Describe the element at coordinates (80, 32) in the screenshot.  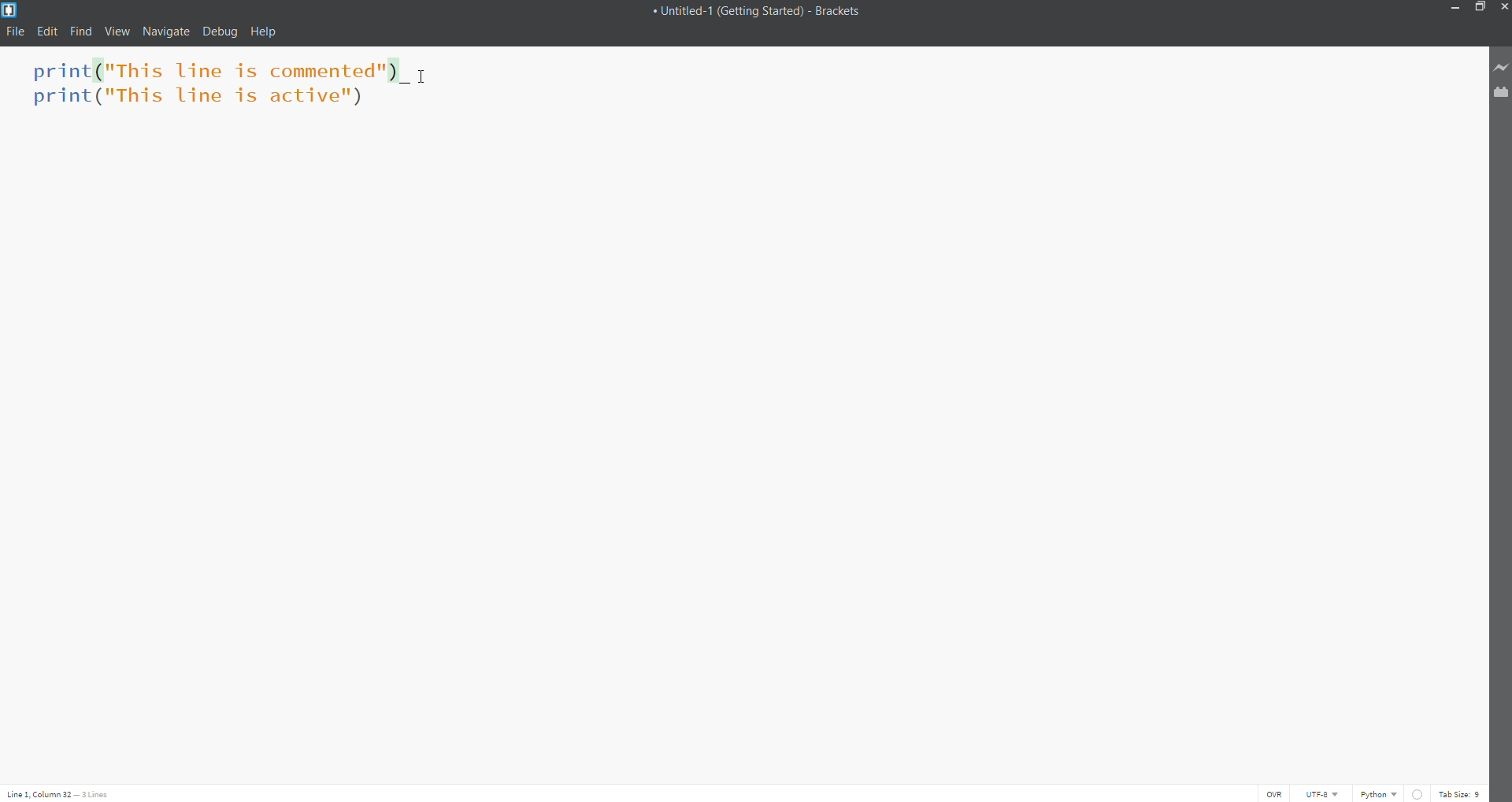
I see `Find` at that location.